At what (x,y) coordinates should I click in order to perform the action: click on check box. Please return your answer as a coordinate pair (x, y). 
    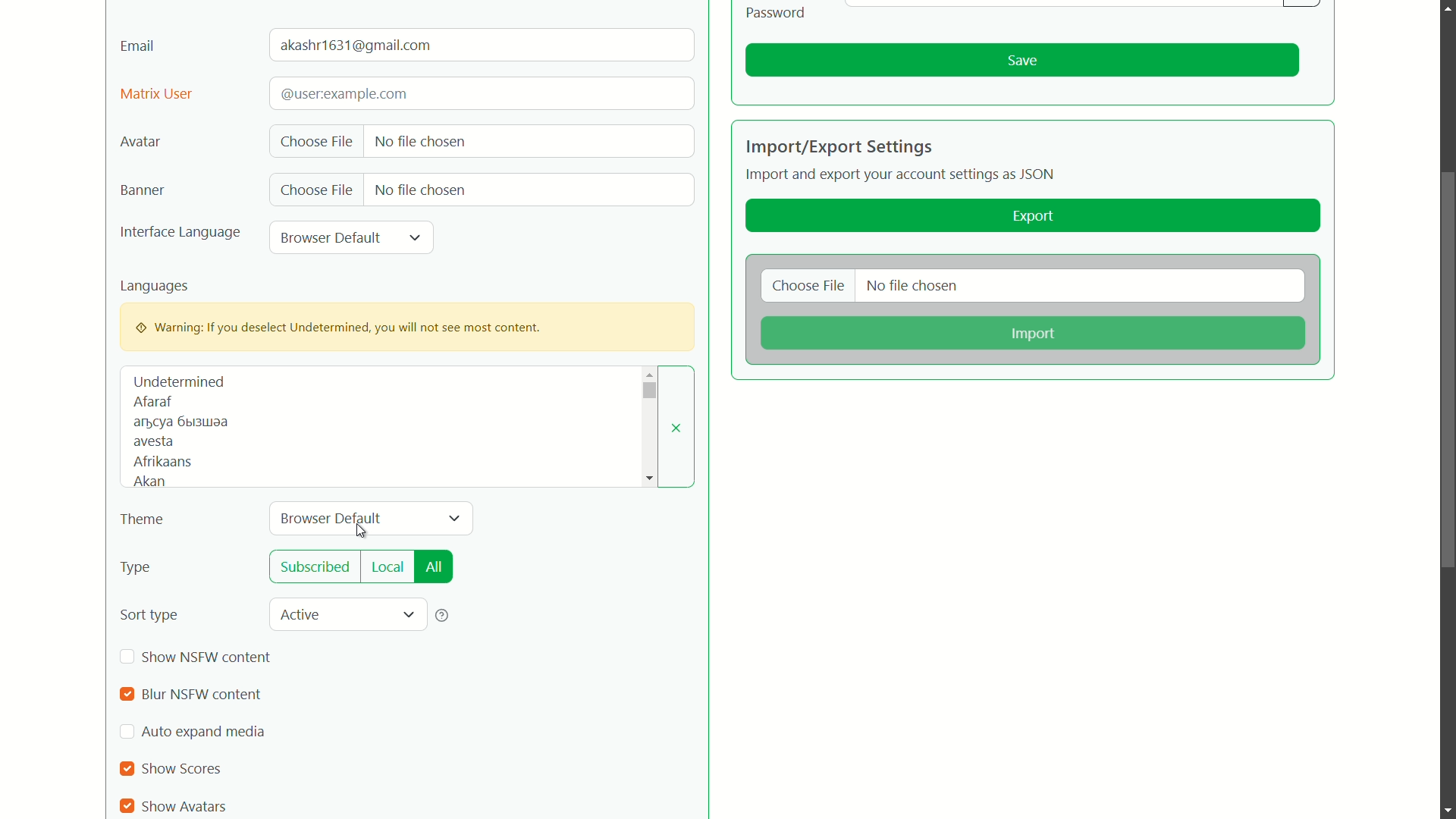
    Looking at the image, I should click on (127, 733).